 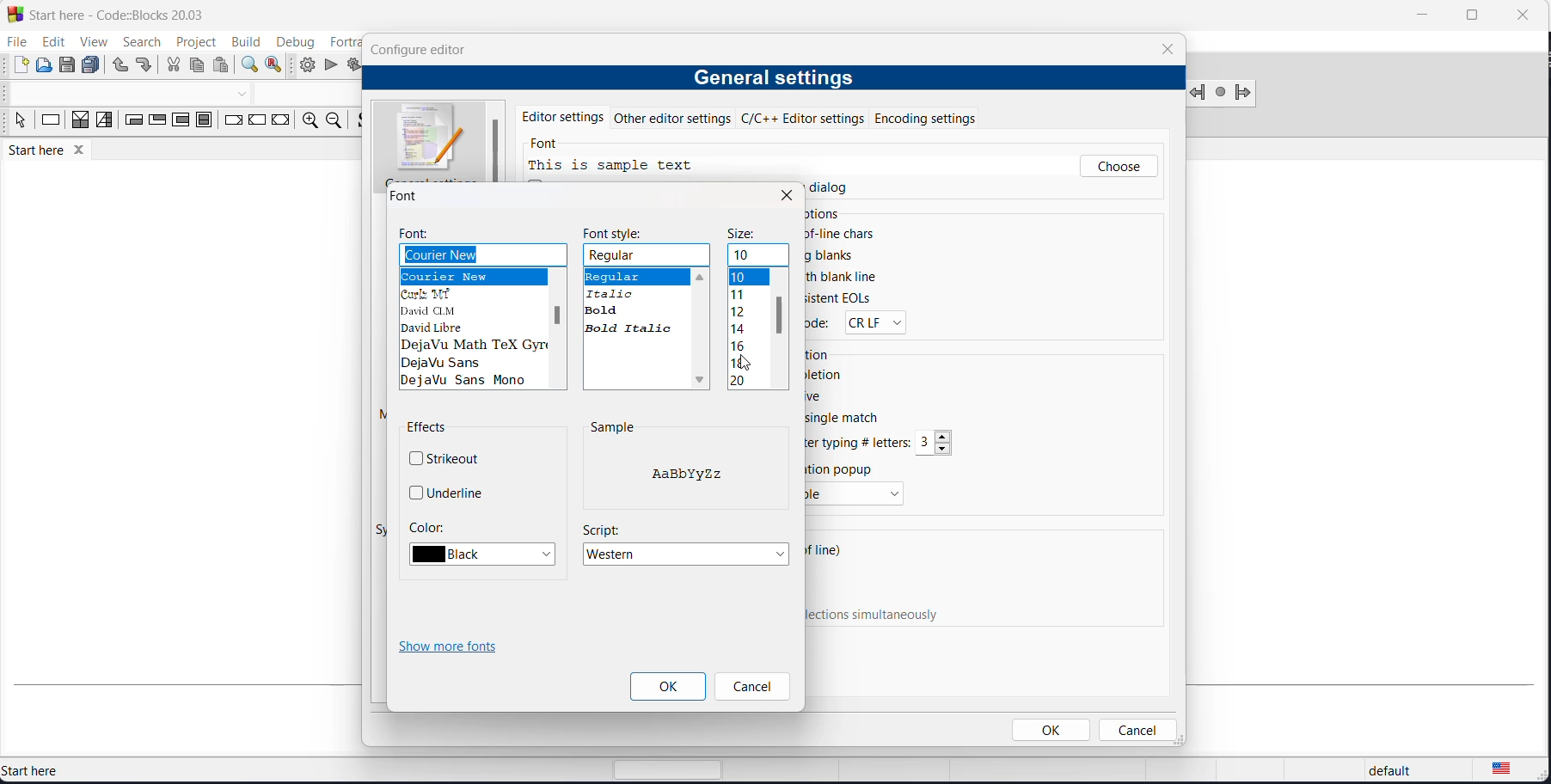 I want to click on close, so click(x=1521, y=14).